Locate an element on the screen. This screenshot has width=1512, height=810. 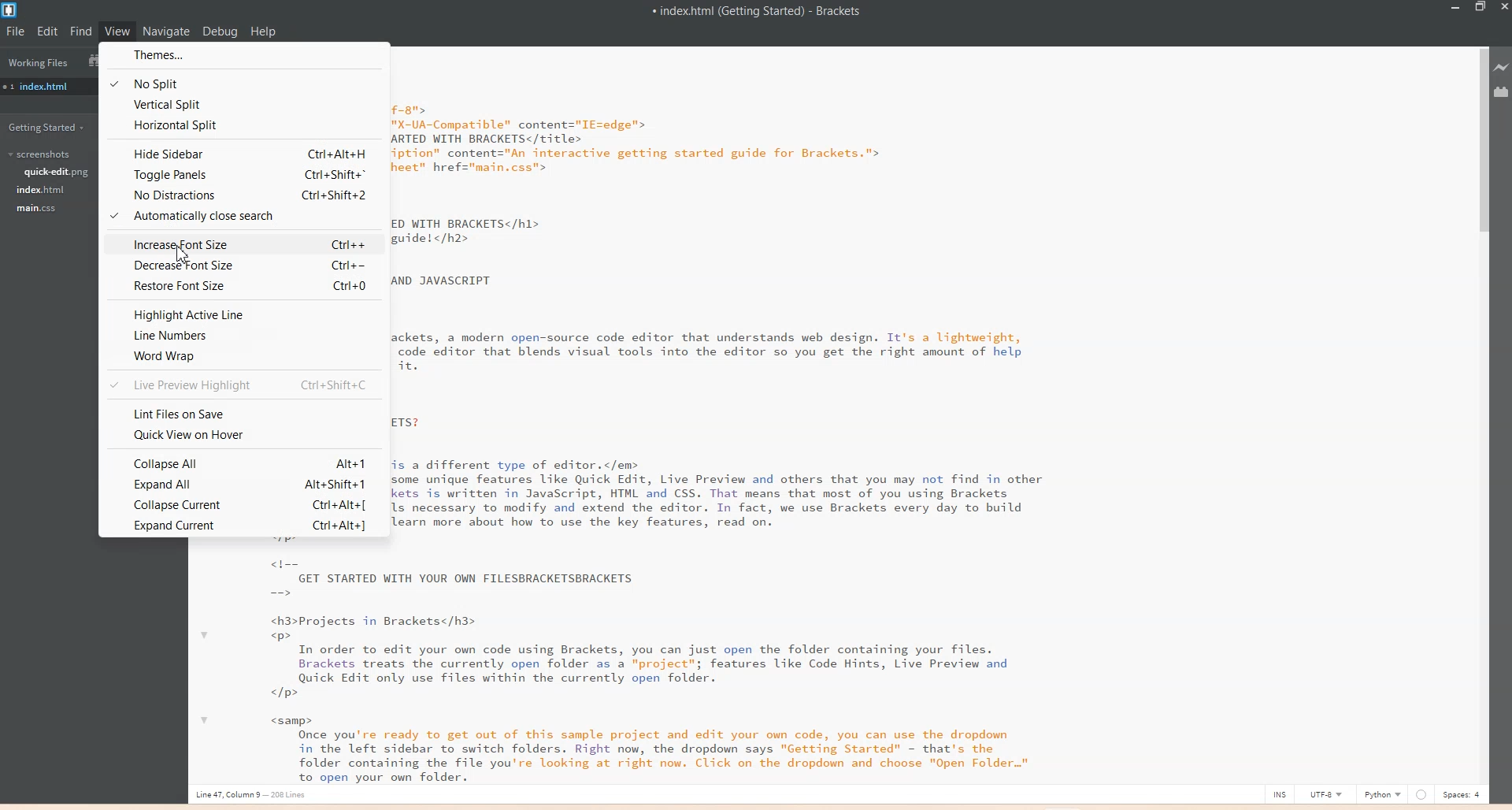
Collapse Current is located at coordinates (243, 503).